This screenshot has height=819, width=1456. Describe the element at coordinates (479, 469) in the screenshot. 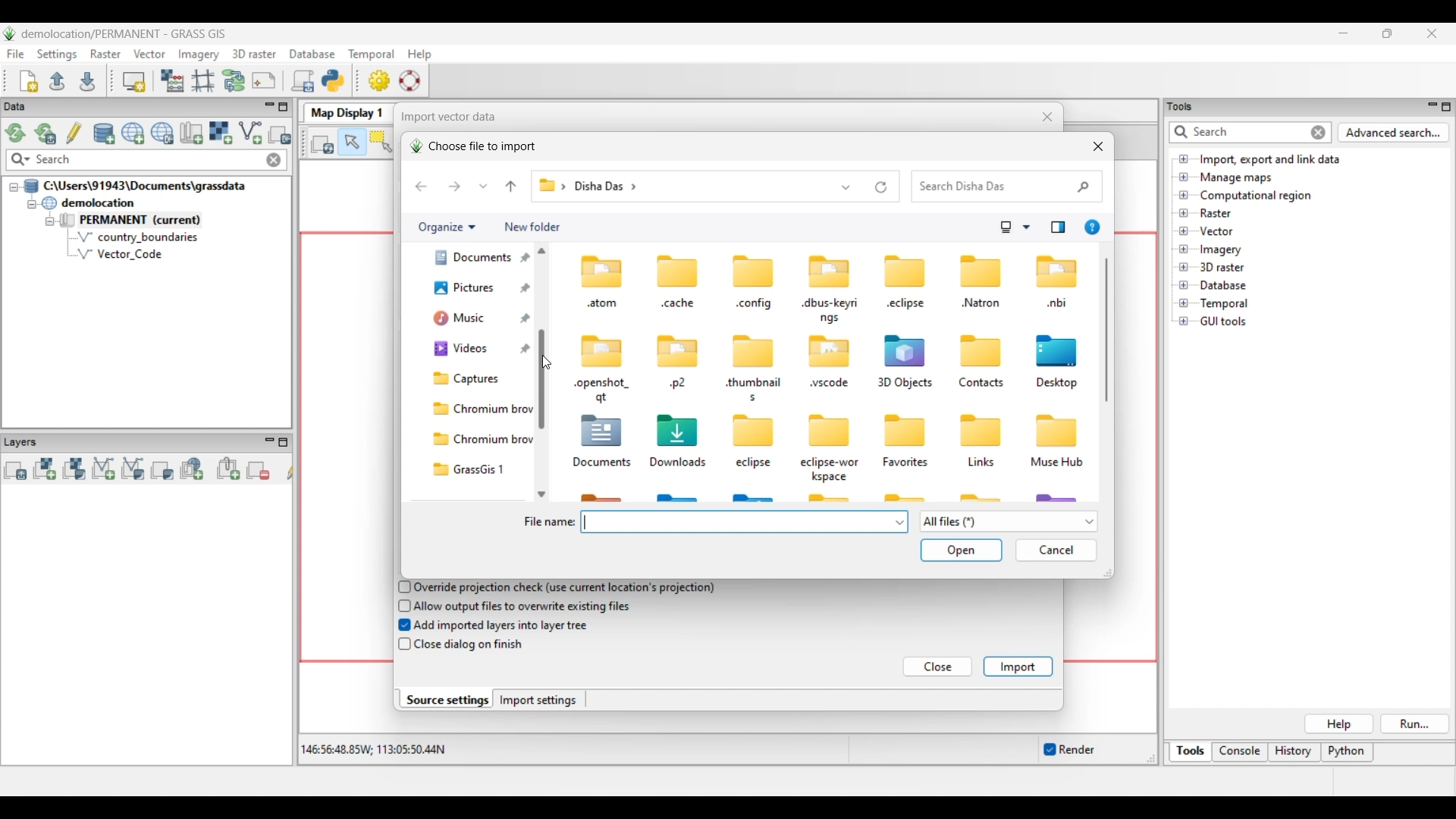

I see `GrassGis 1 folder` at that location.